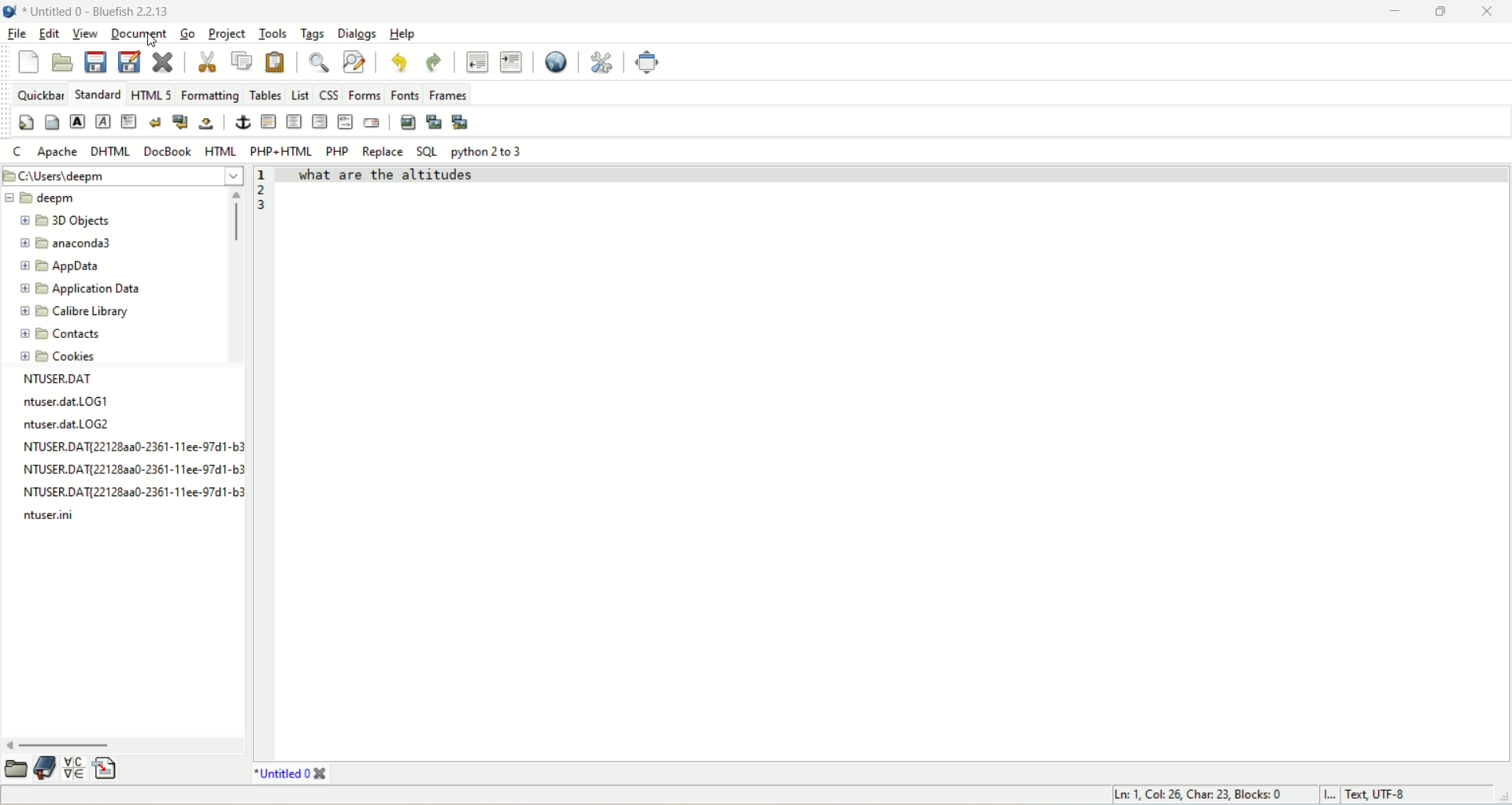 This screenshot has height=805, width=1512. Describe the element at coordinates (435, 125) in the screenshot. I see `insert thumbnail` at that location.